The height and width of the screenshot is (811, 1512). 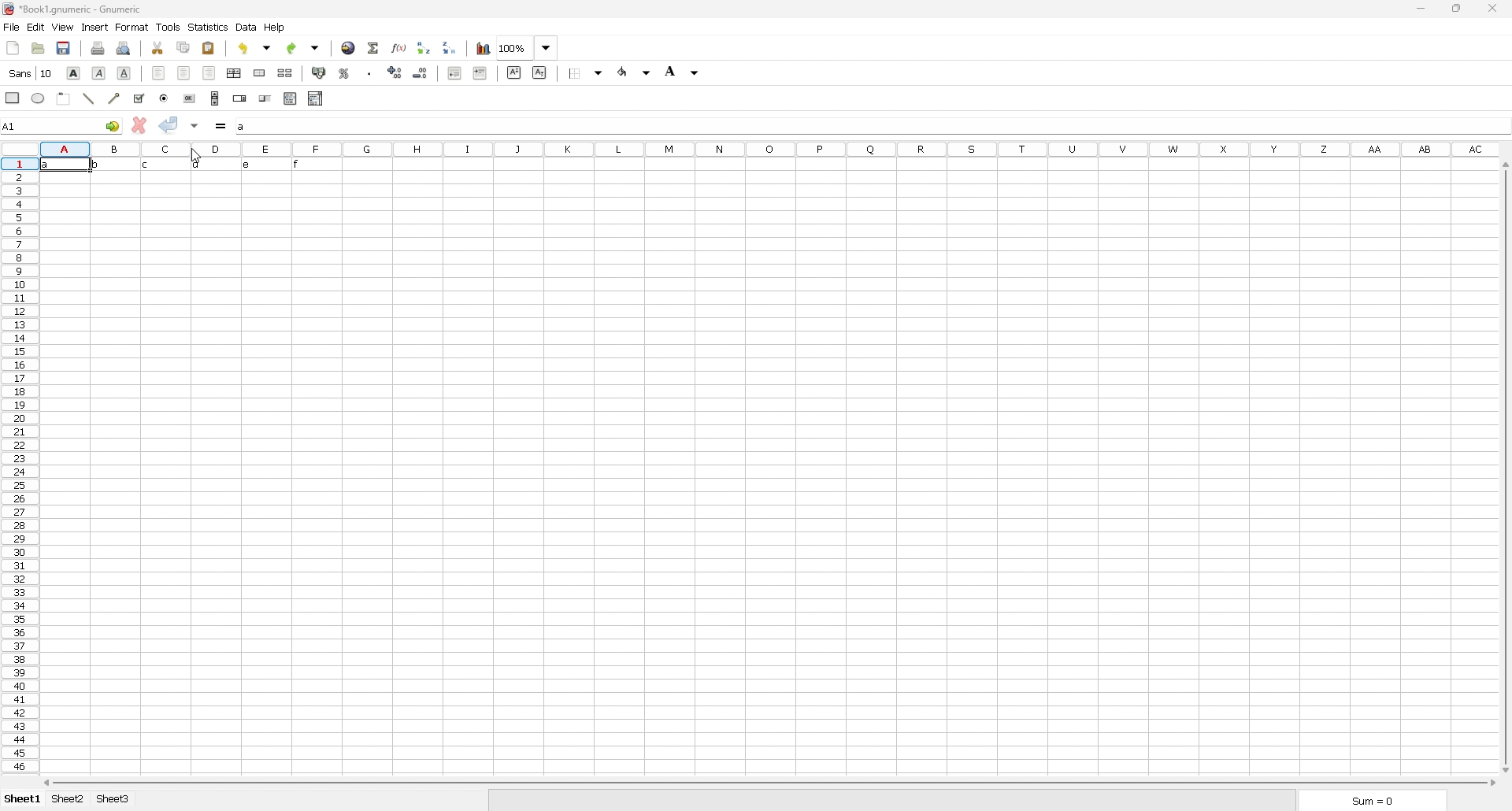 I want to click on tickbox, so click(x=139, y=98).